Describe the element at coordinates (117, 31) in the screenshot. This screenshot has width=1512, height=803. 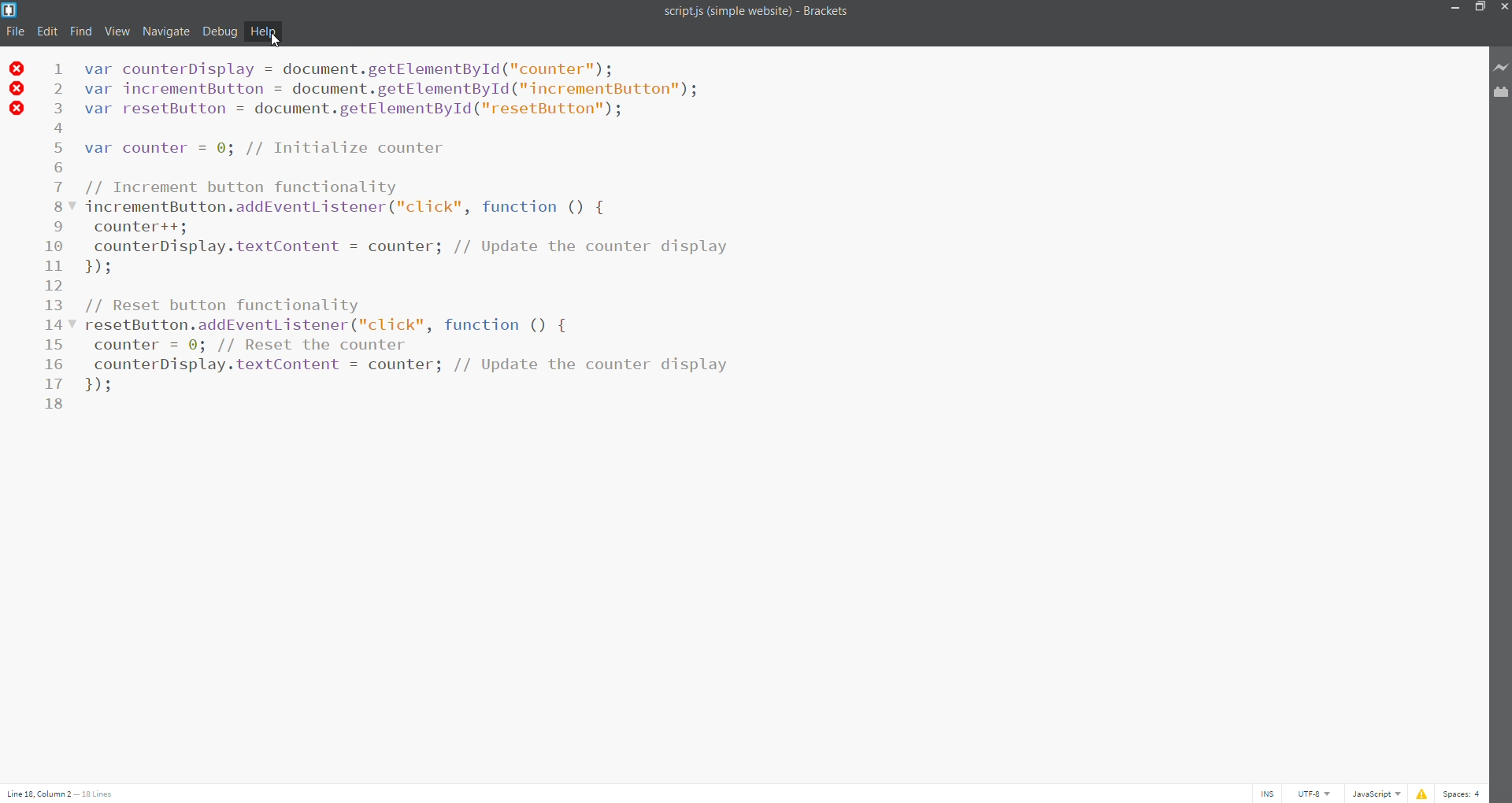
I see `view` at that location.